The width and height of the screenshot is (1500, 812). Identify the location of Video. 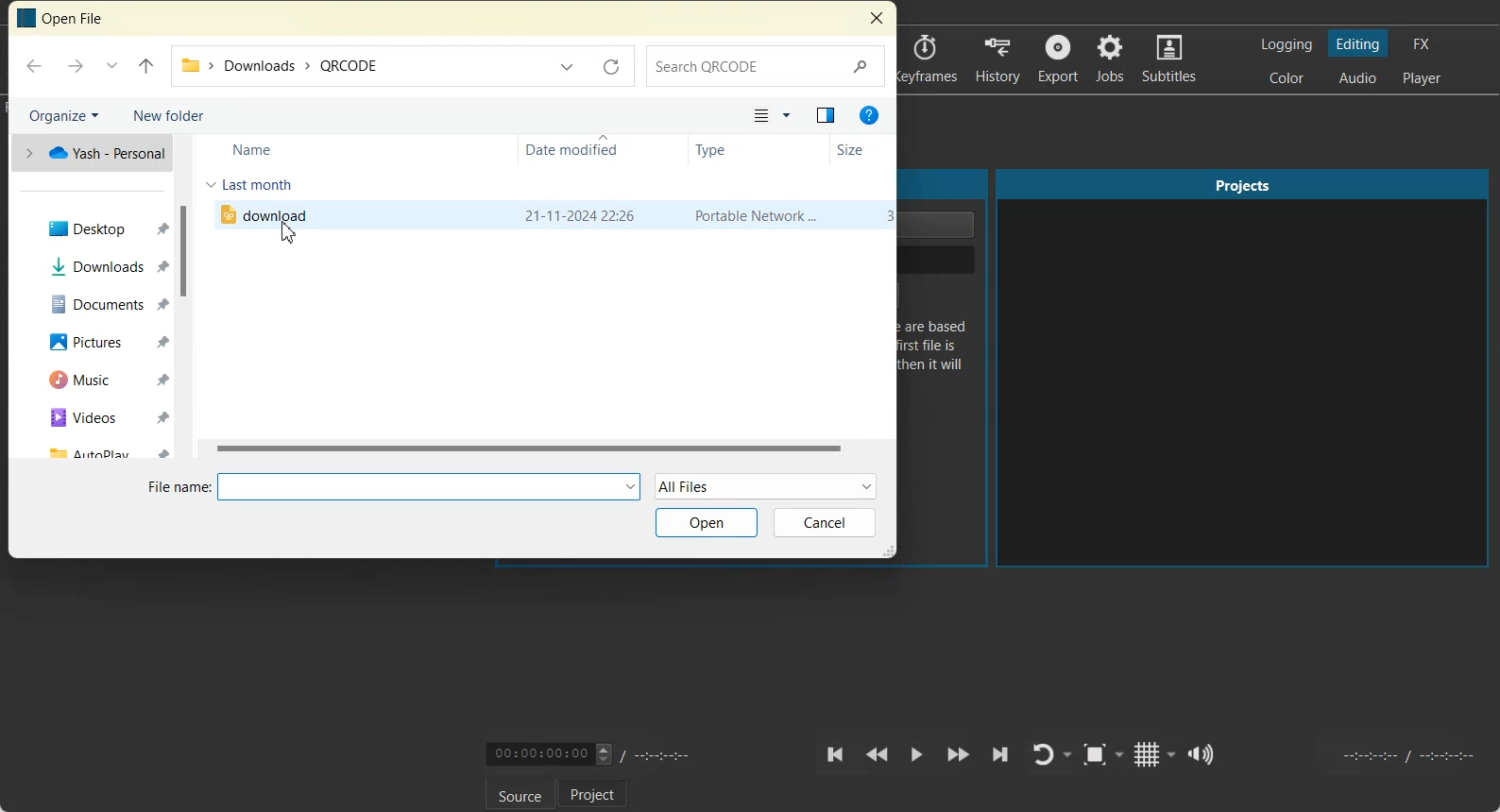
(99, 416).